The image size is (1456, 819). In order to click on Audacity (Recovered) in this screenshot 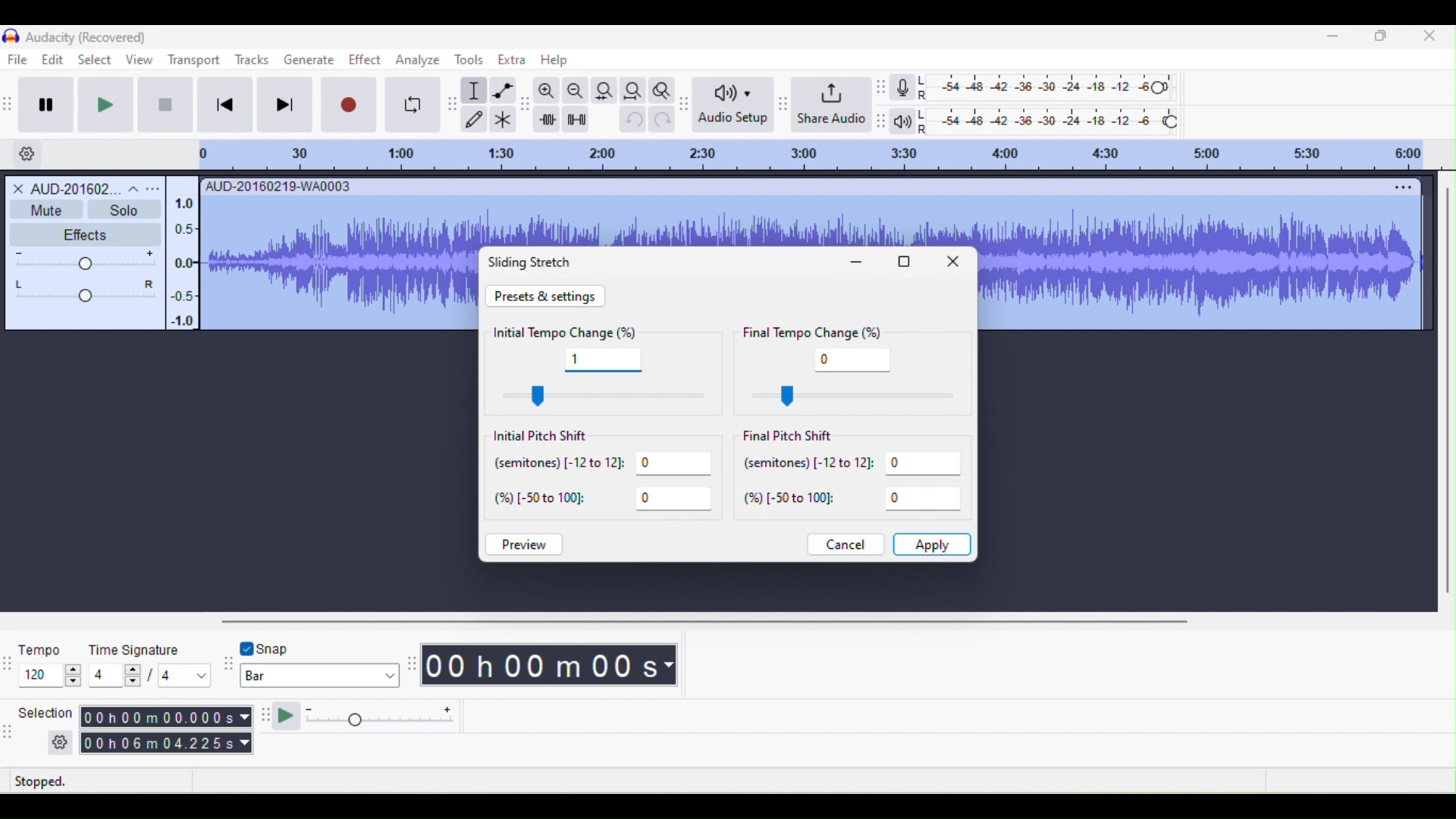, I will do `click(86, 37)`.